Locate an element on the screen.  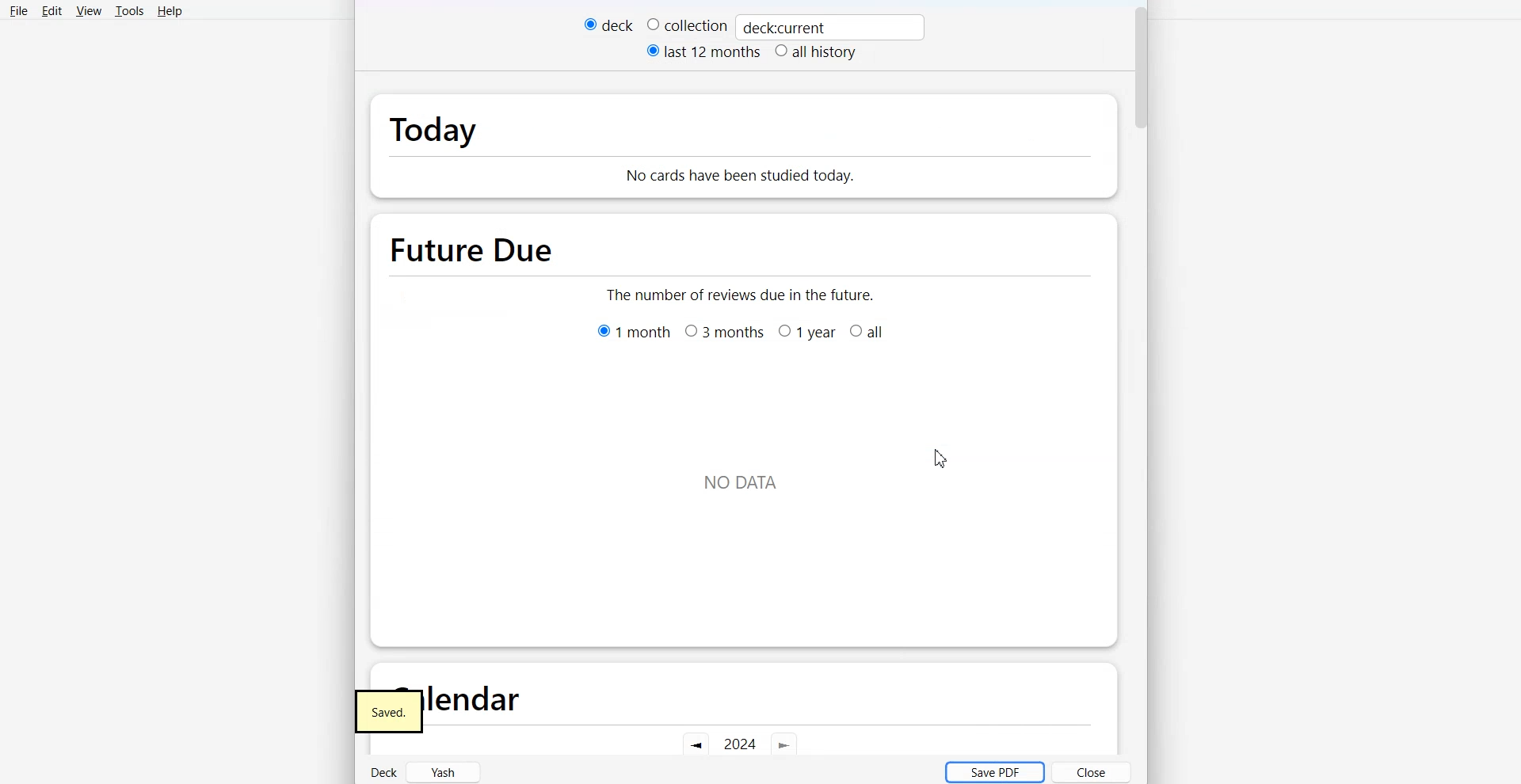
No cards have been studied today. is located at coordinates (814, 167).